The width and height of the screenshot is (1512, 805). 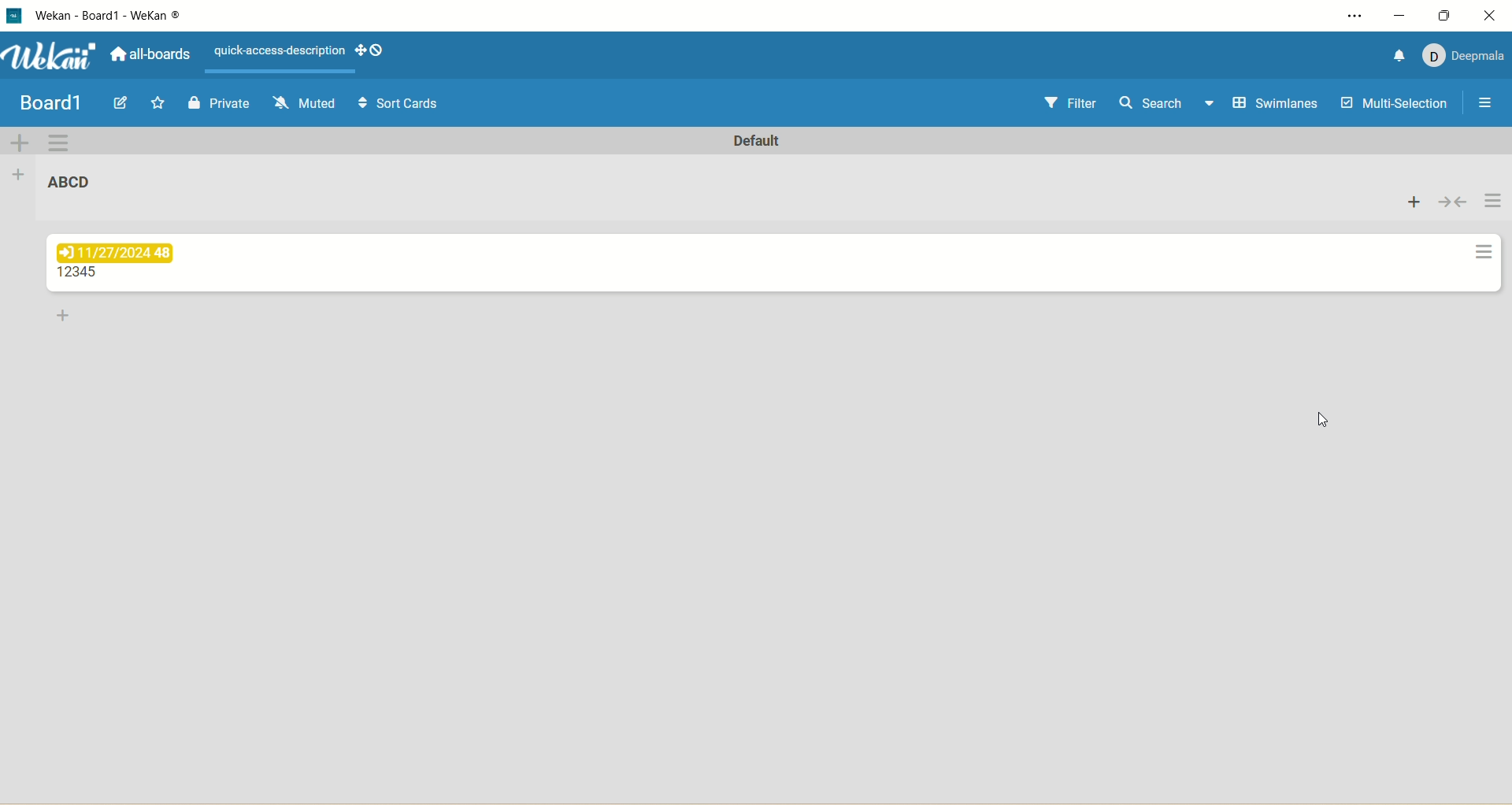 I want to click on wekan, so click(x=55, y=57).